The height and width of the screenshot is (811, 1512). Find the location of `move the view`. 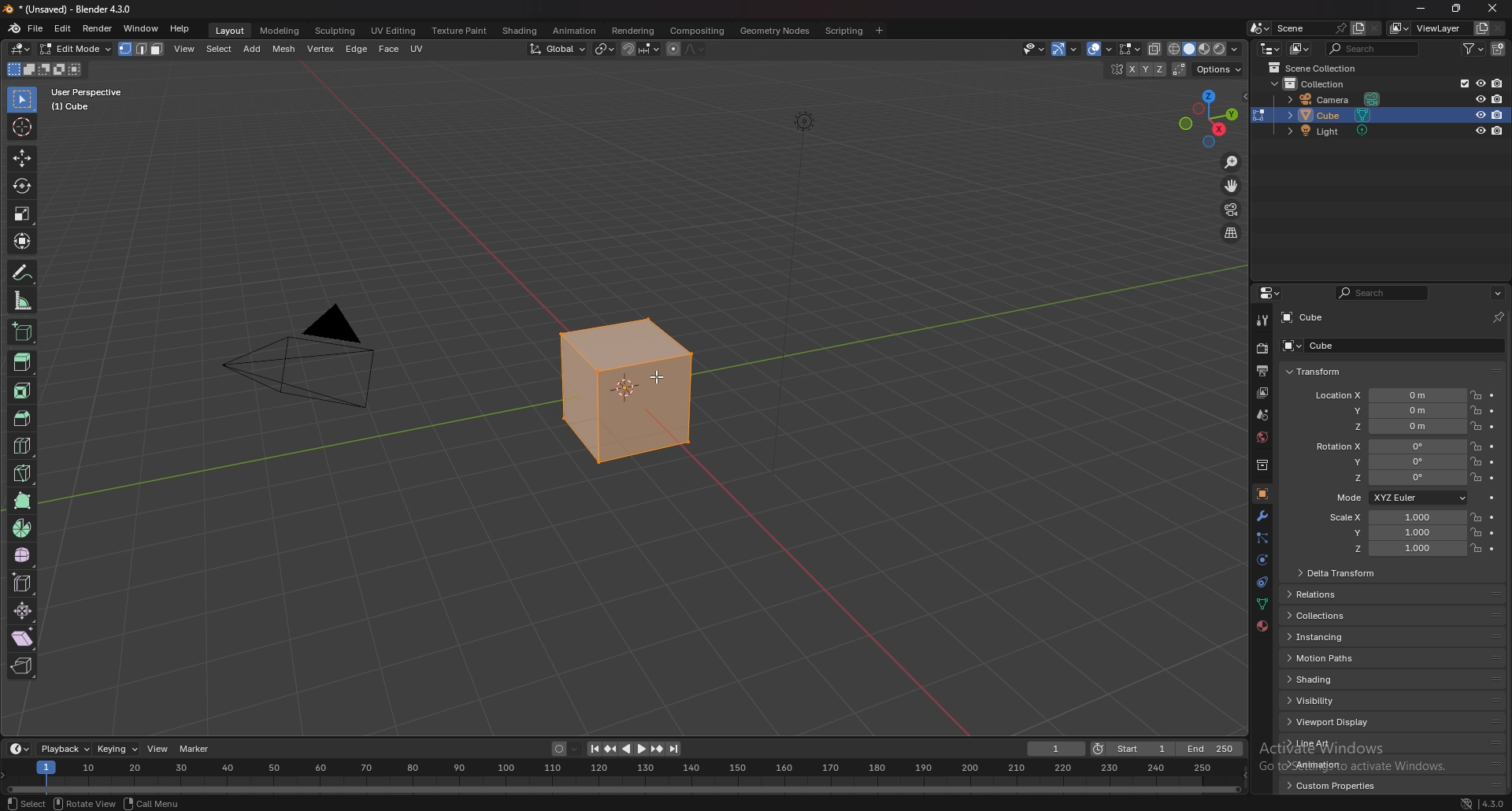

move the view is located at coordinates (1232, 186).